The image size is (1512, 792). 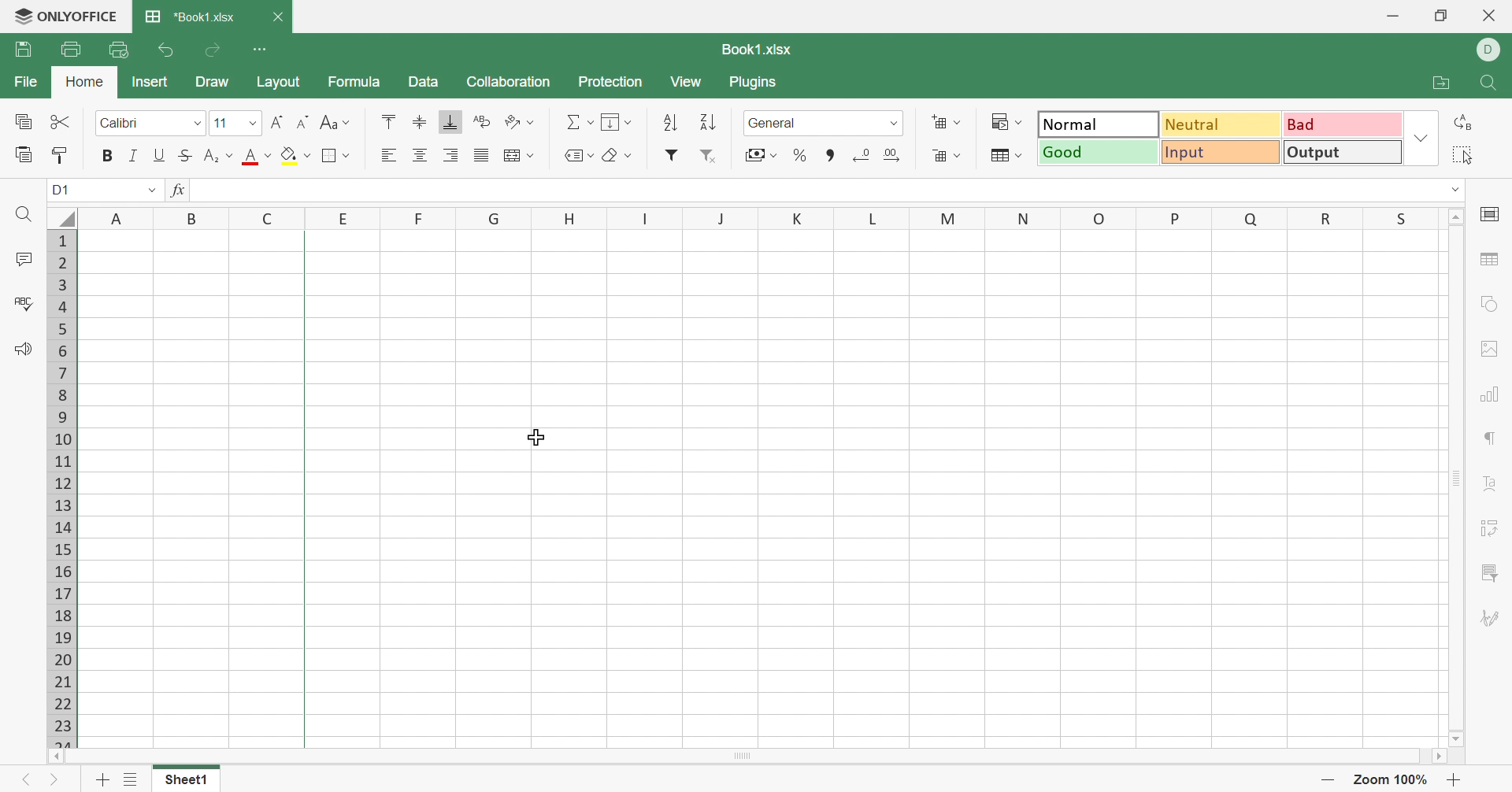 I want to click on Slicer settings, so click(x=1492, y=573).